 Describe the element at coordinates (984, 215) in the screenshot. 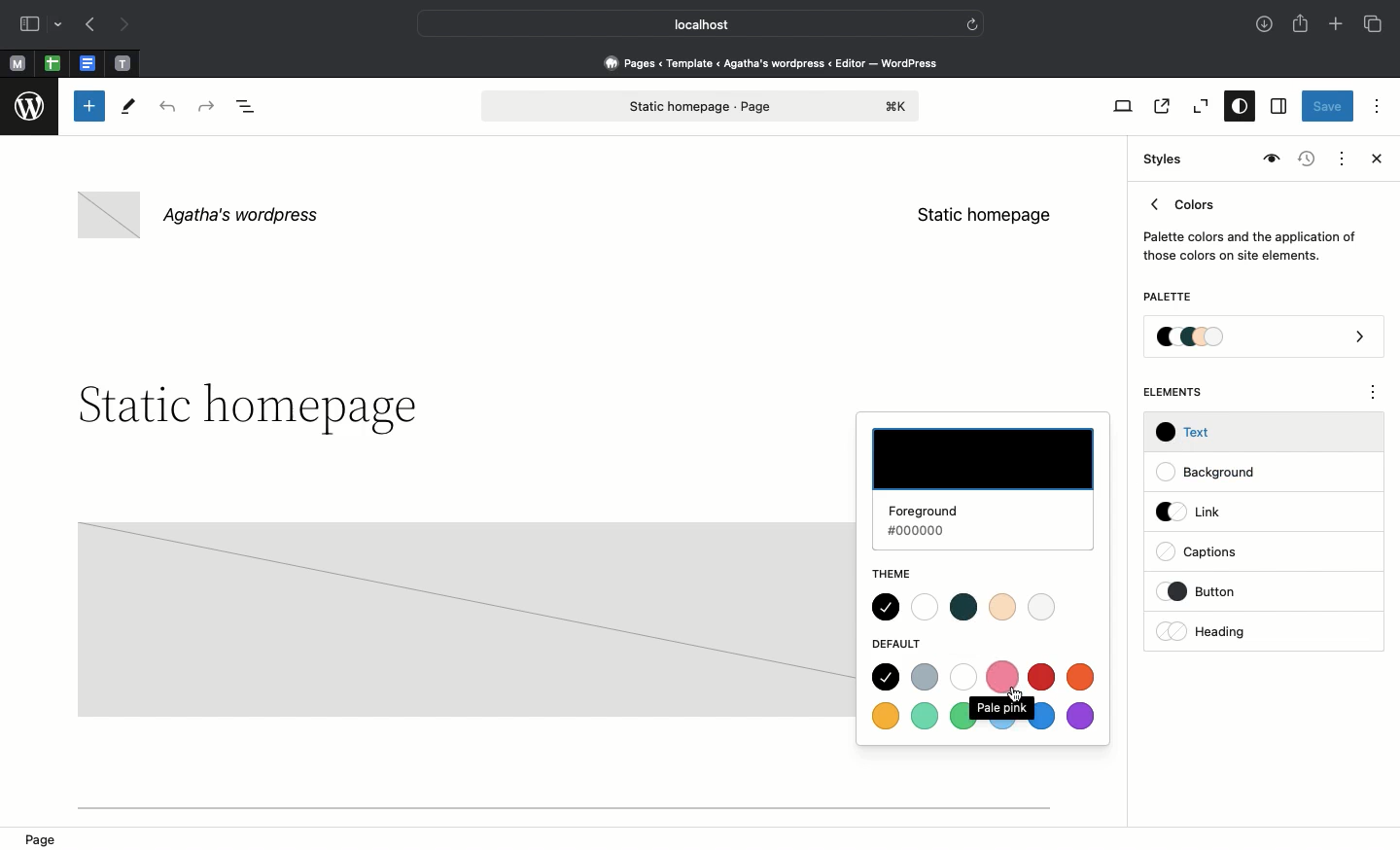

I see `Static homepage` at that location.